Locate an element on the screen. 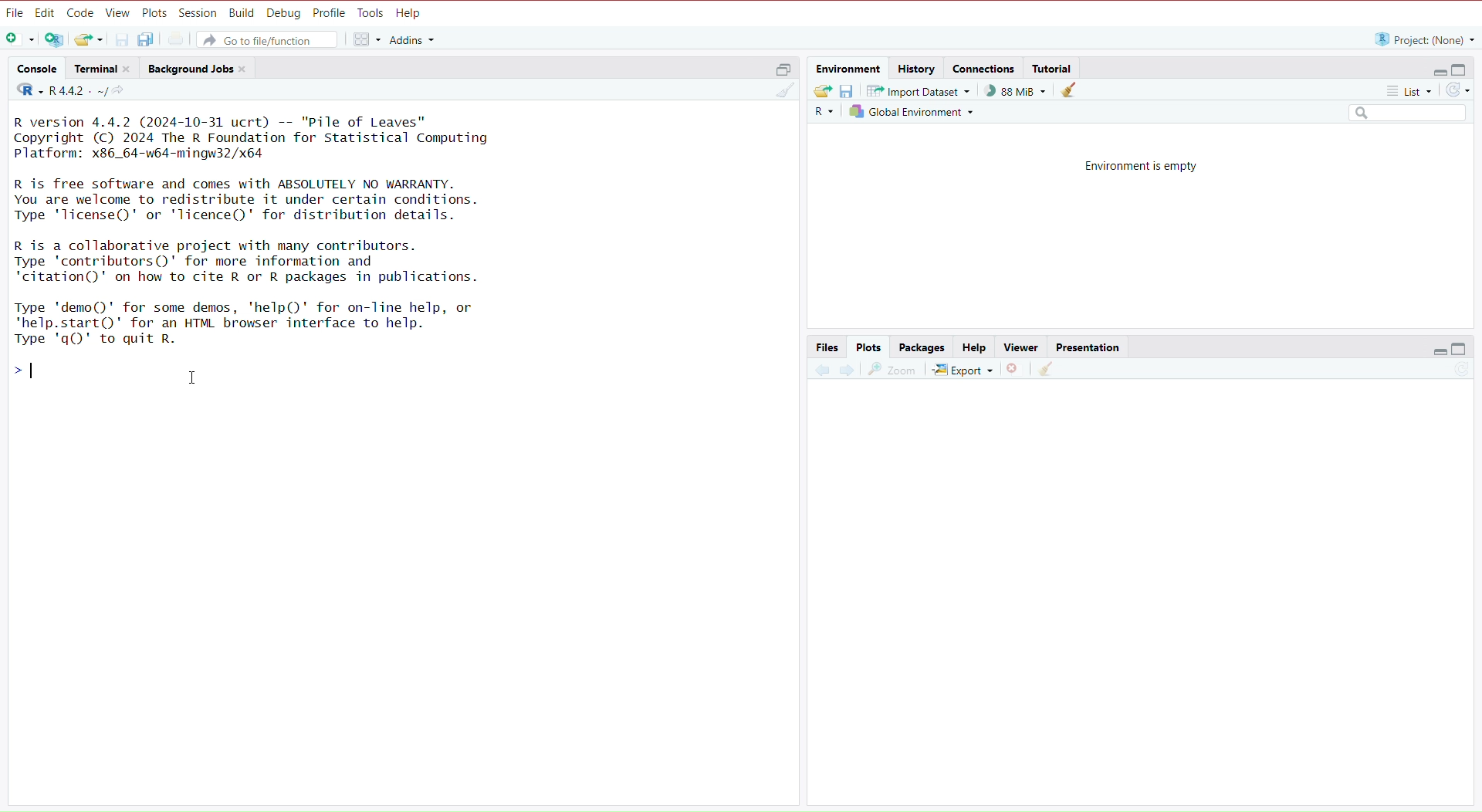 The width and height of the screenshot is (1482, 812). Previous plot is located at coordinates (822, 367).